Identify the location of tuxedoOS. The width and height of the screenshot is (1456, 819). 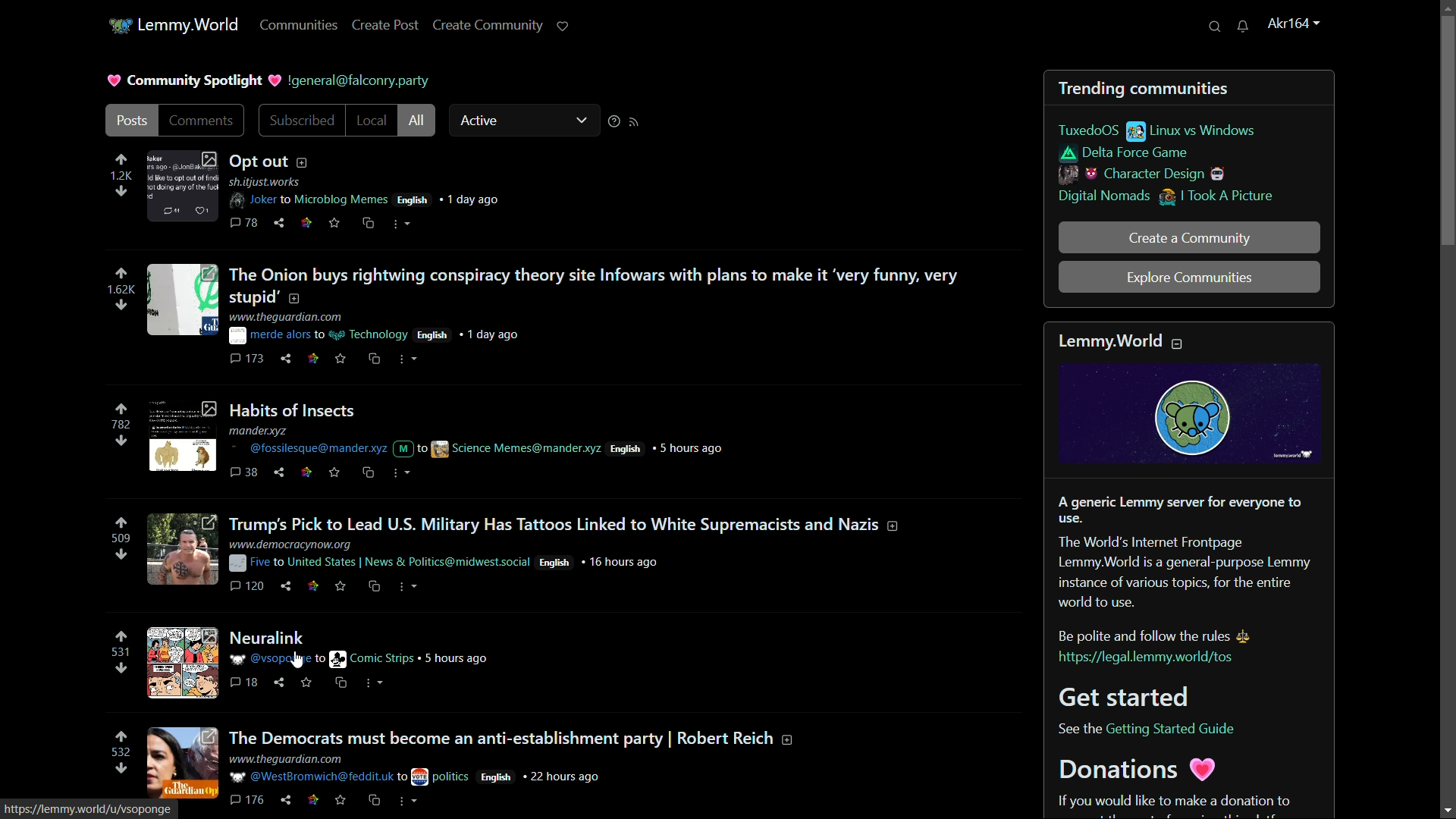
(1089, 130).